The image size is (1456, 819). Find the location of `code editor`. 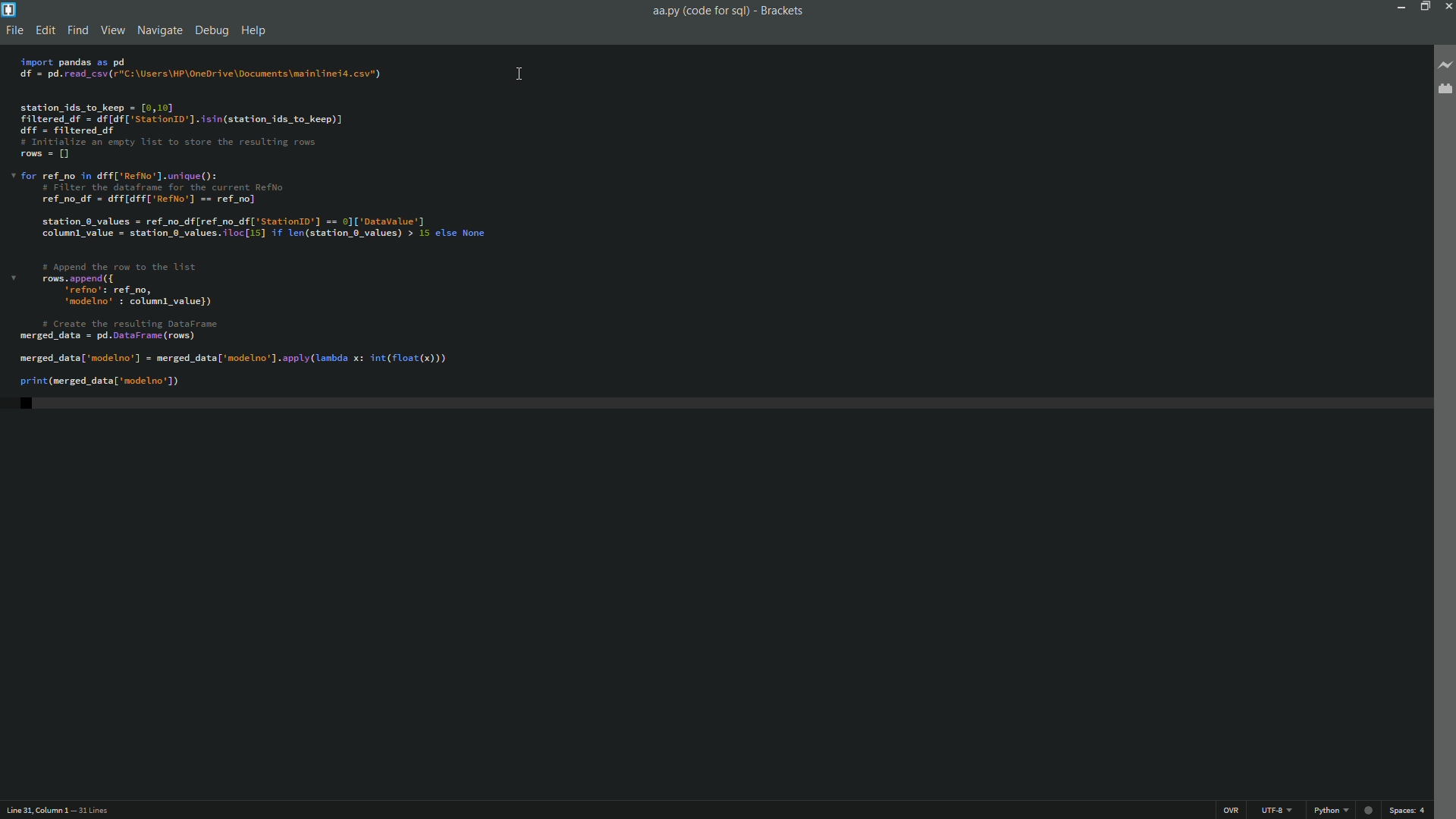

code editor is located at coordinates (254, 221).